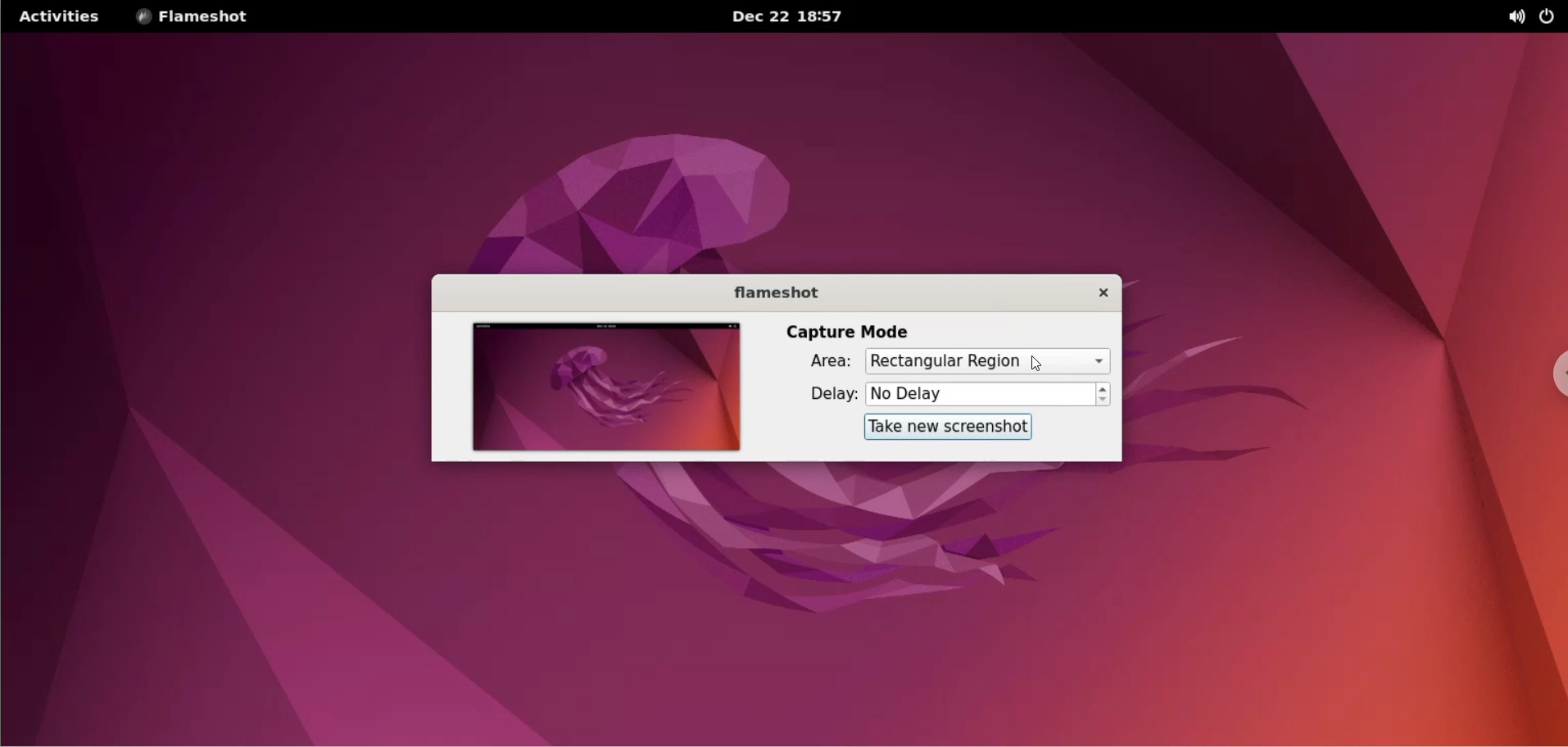 The image size is (1568, 747). I want to click on chrome options, so click(1552, 376).